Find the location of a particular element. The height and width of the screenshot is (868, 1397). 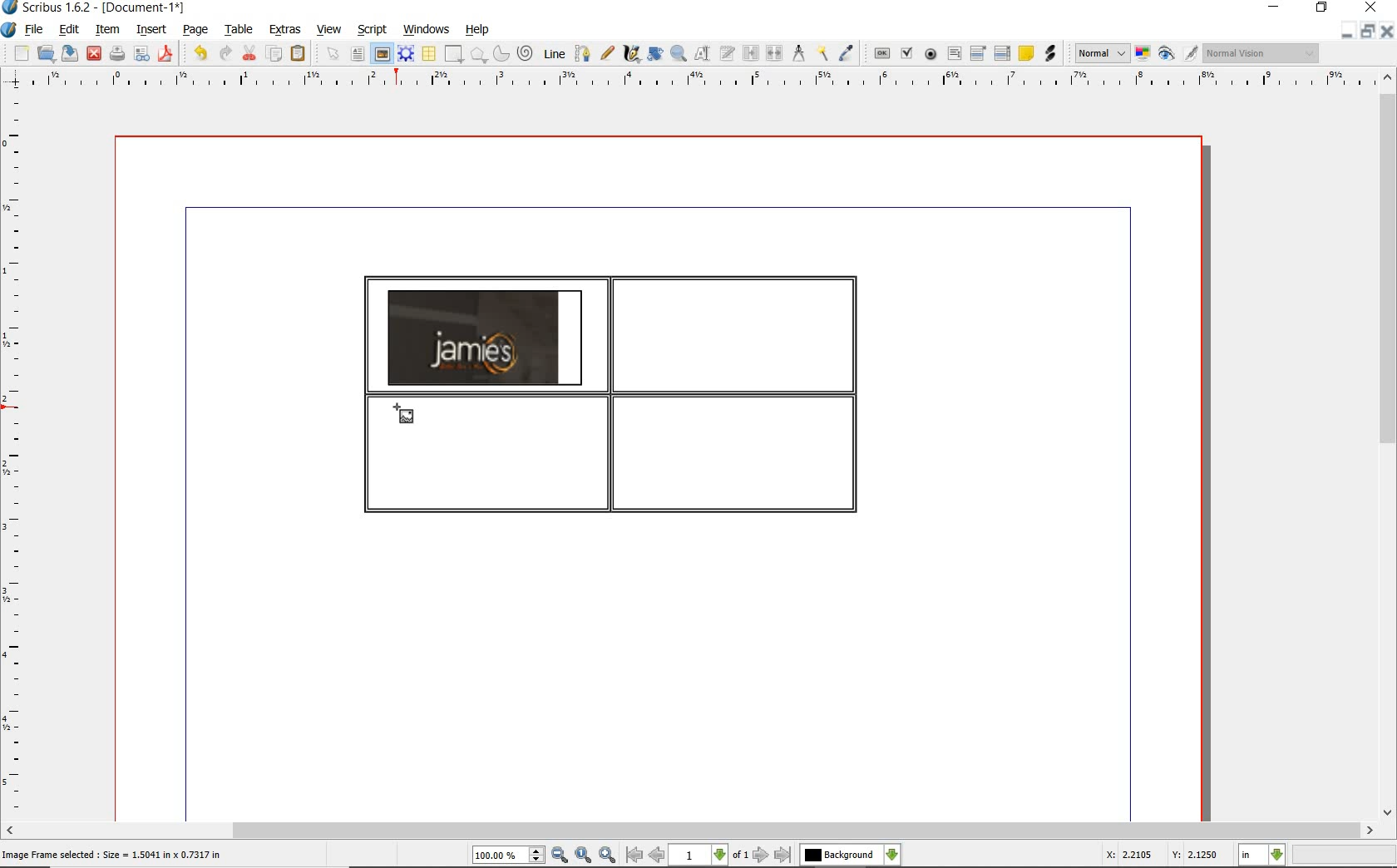

link annotation is located at coordinates (1049, 53).